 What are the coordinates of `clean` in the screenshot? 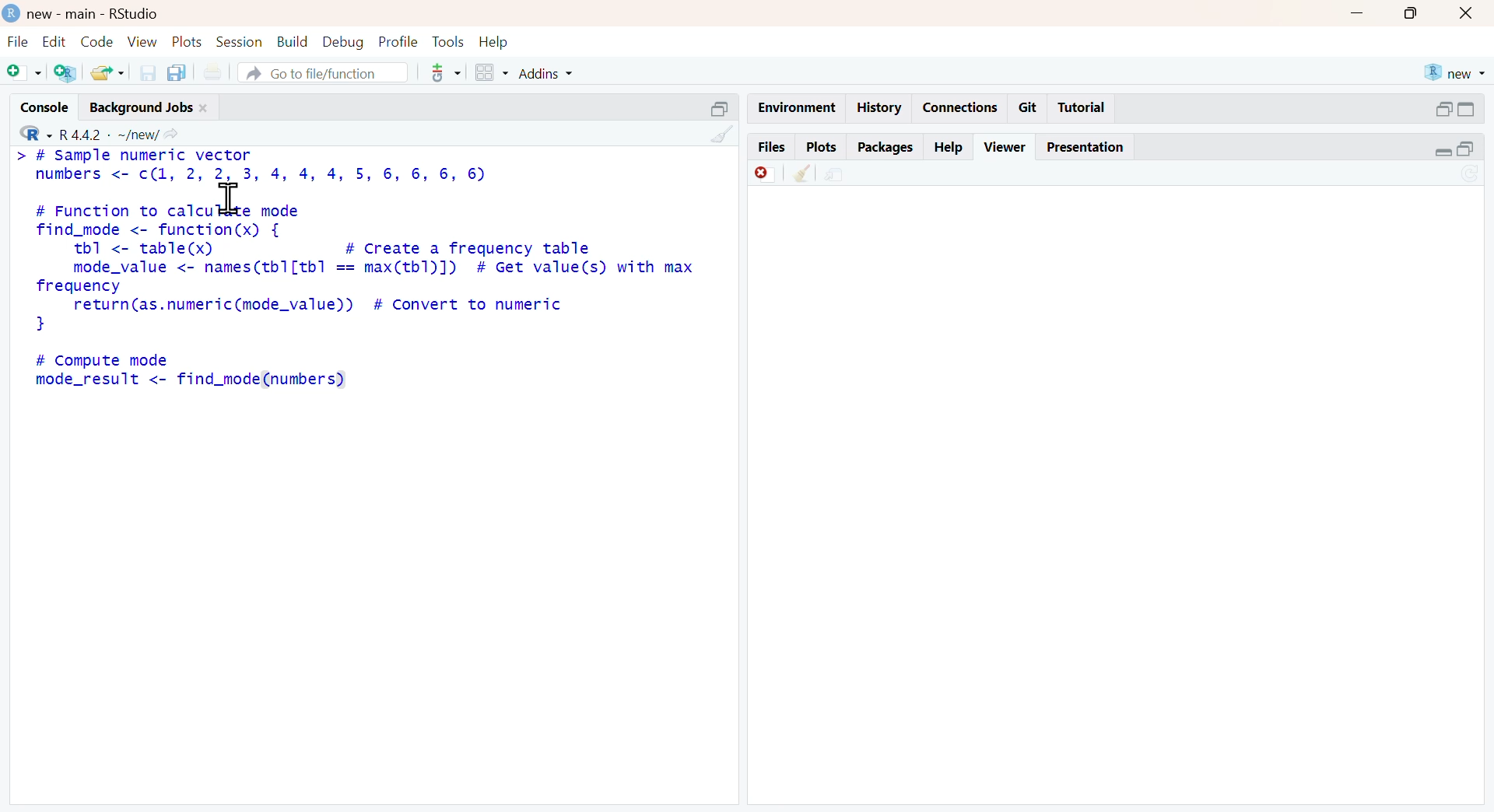 It's located at (724, 134).